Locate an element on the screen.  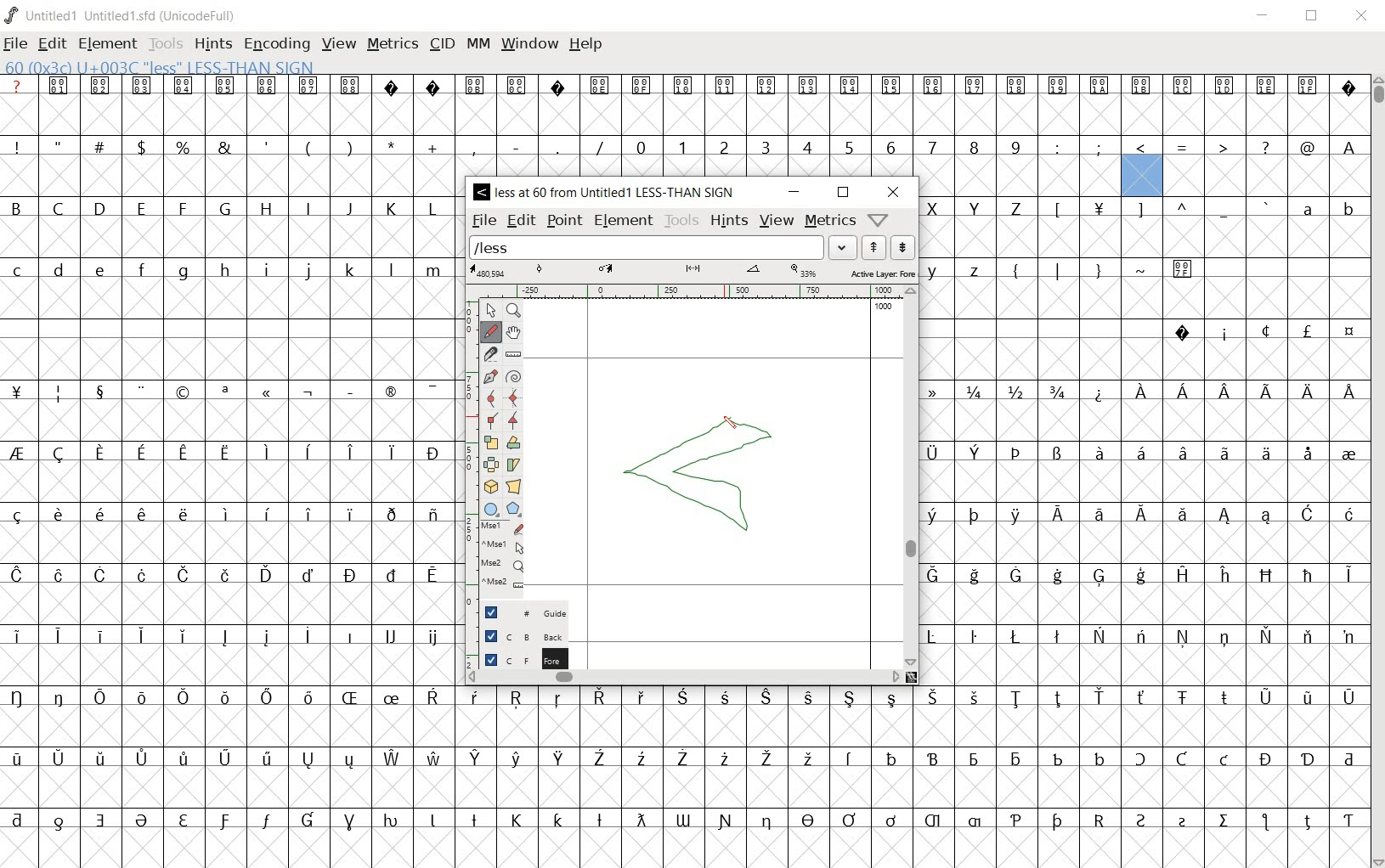
foreground is located at coordinates (517, 656).